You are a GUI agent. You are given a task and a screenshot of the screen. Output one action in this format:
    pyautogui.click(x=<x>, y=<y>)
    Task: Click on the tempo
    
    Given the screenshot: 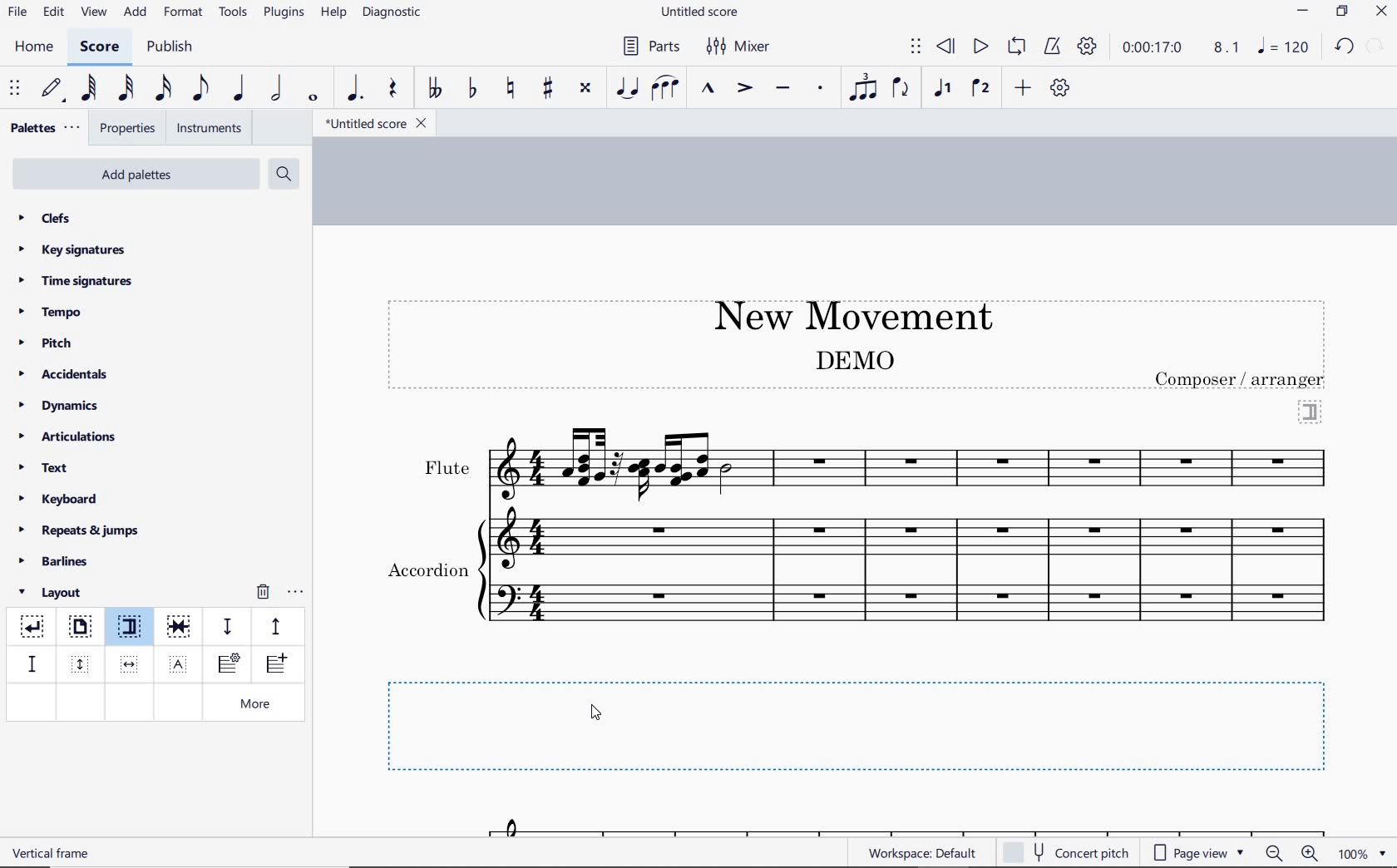 What is the action you would take?
    pyautogui.click(x=55, y=311)
    